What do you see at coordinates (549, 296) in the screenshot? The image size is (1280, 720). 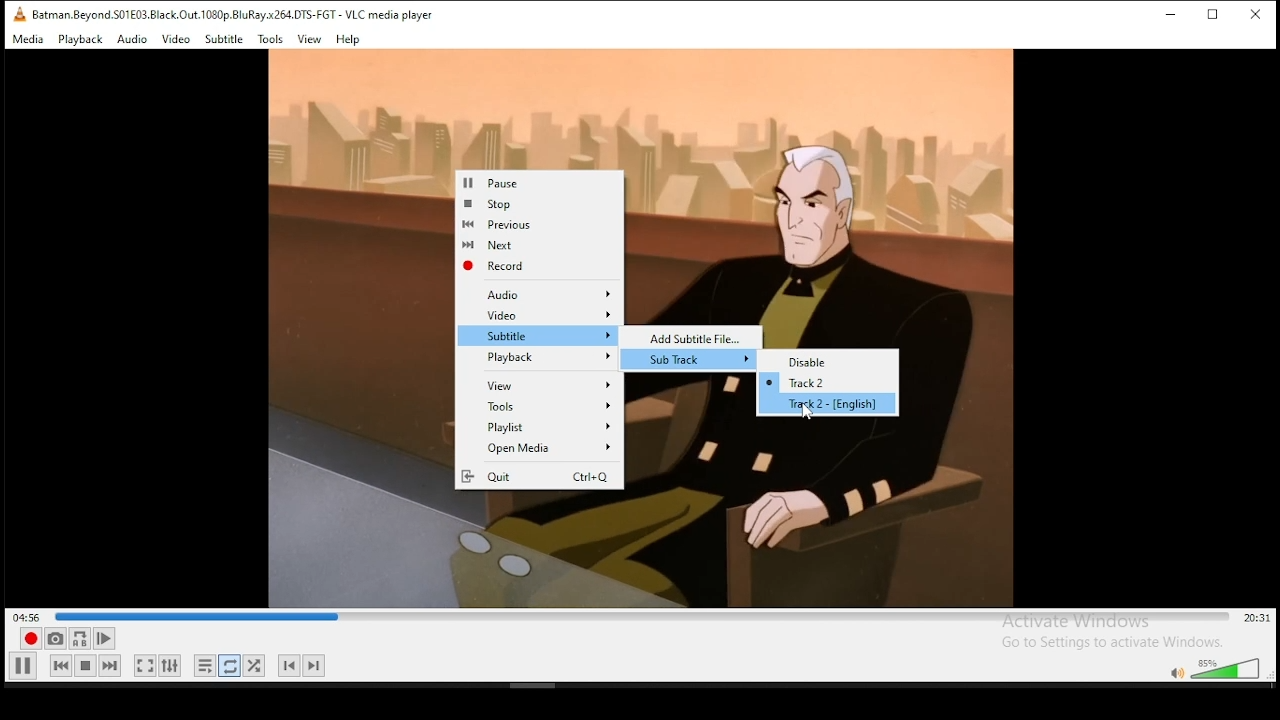 I see `Audio ` at bounding box center [549, 296].